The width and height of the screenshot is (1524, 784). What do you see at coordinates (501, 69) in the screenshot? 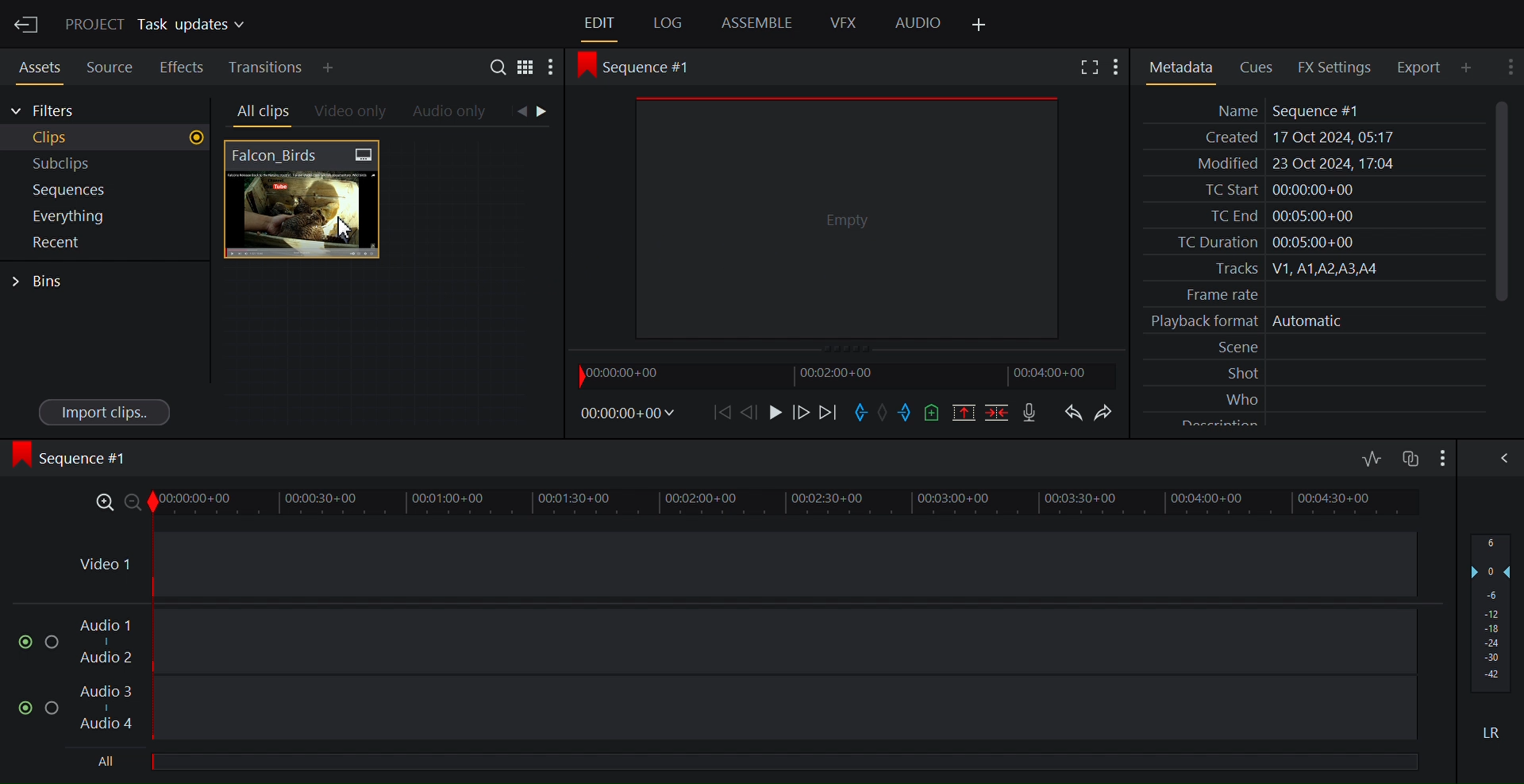
I see `Search` at bounding box center [501, 69].